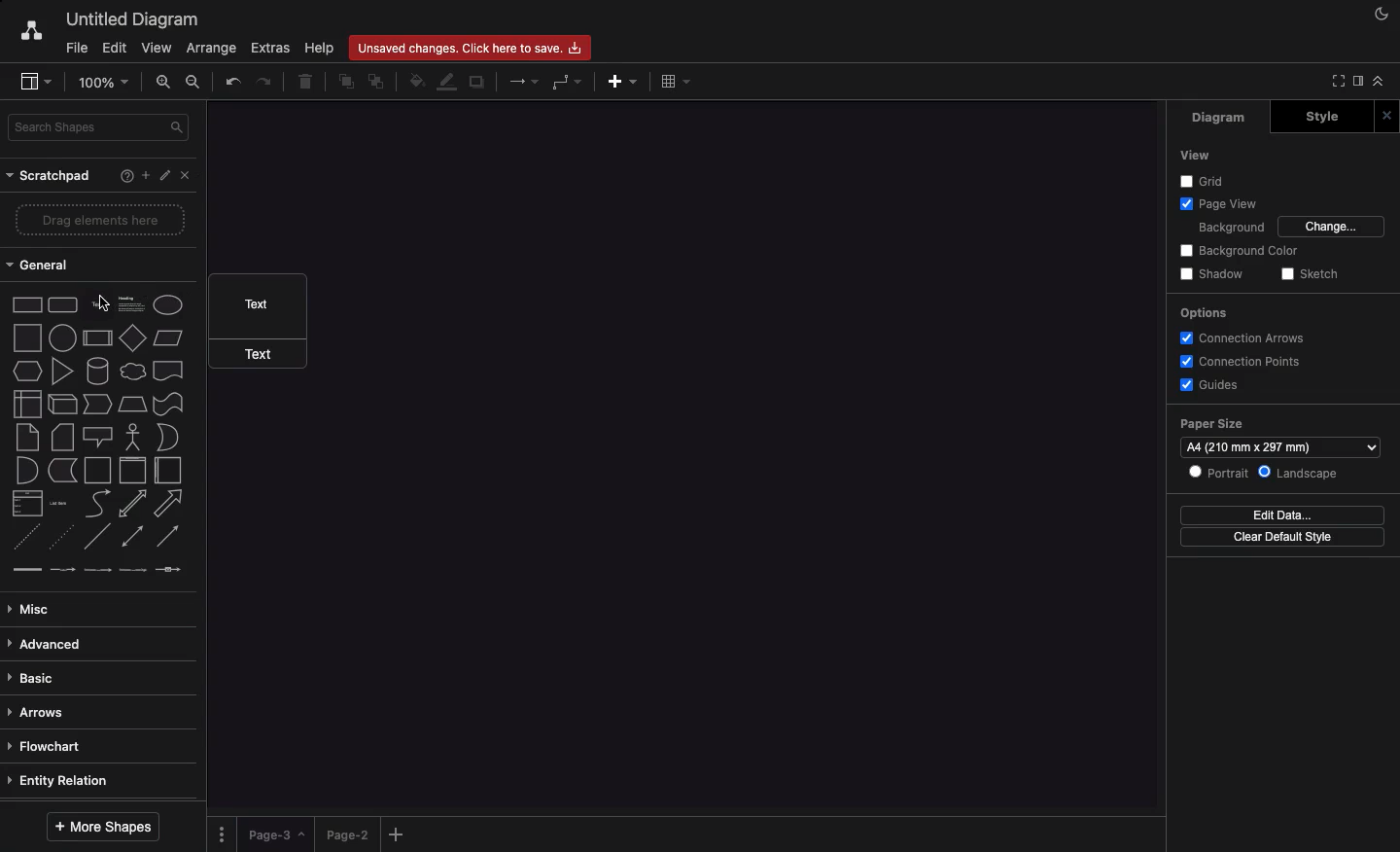  What do you see at coordinates (100, 127) in the screenshot?
I see `Search shapes` at bounding box center [100, 127].